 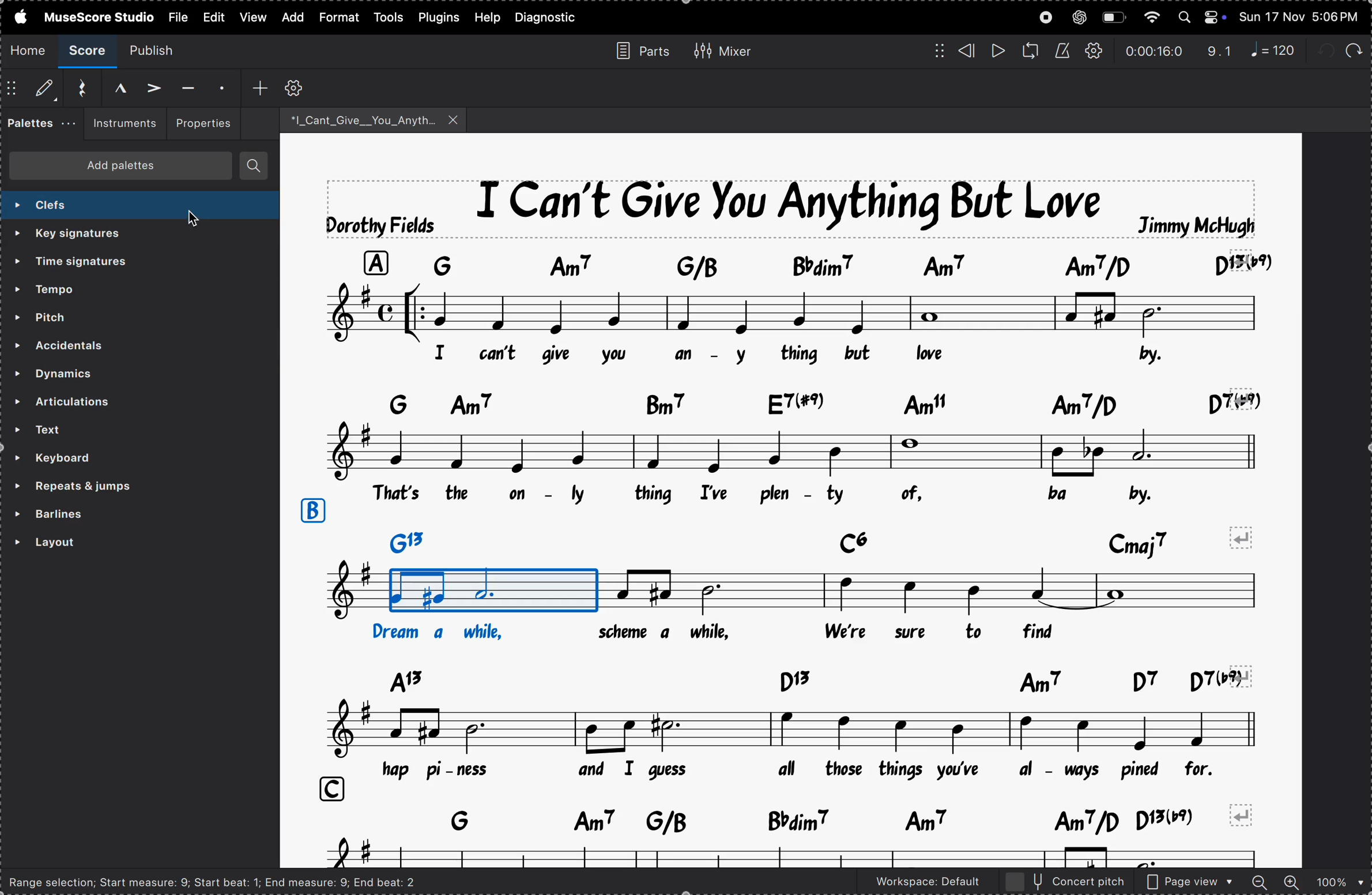 I want to click on lyrics, so click(x=699, y=354).